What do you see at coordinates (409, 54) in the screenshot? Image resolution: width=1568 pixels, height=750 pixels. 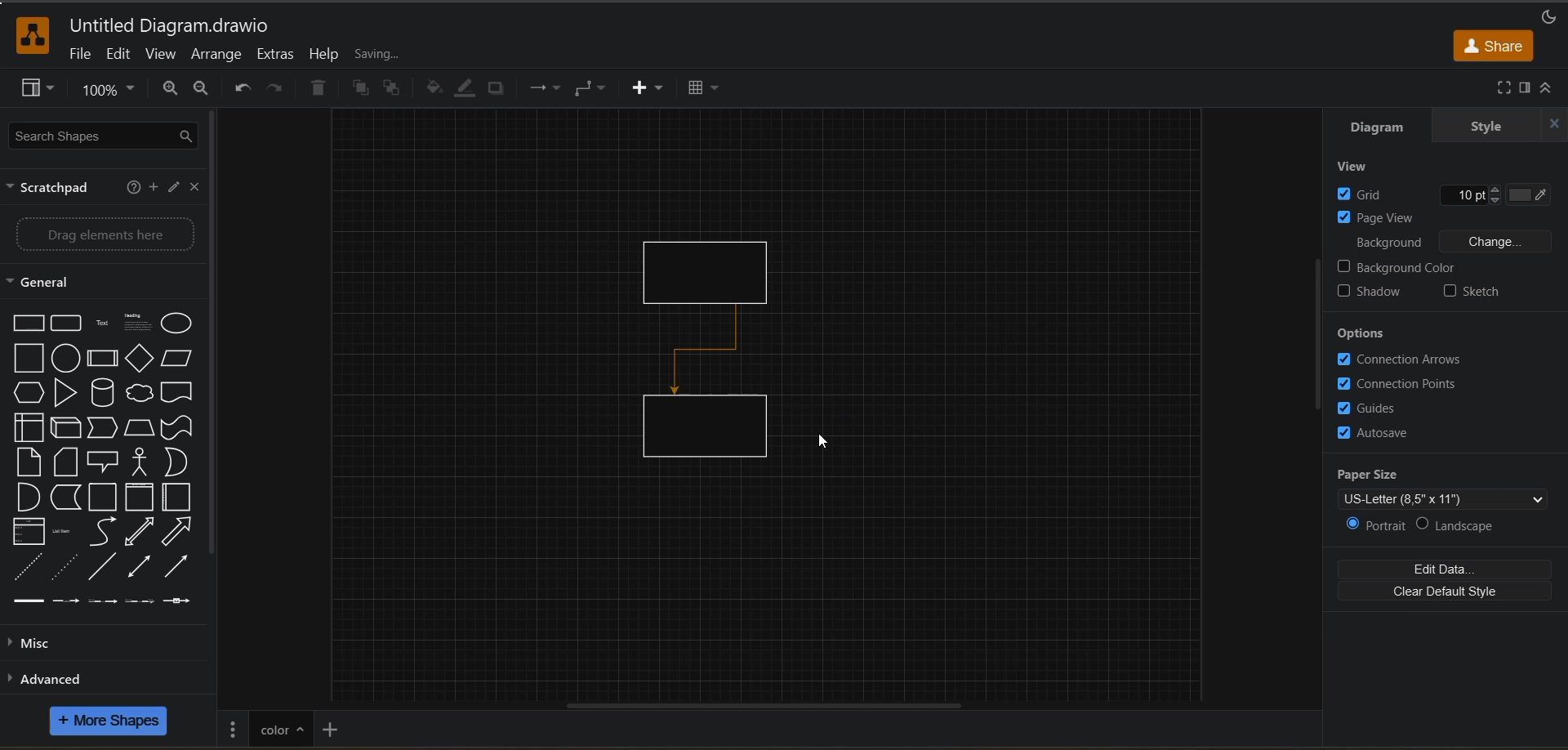 I see `all changes saved` at bounding box center [409, 54].